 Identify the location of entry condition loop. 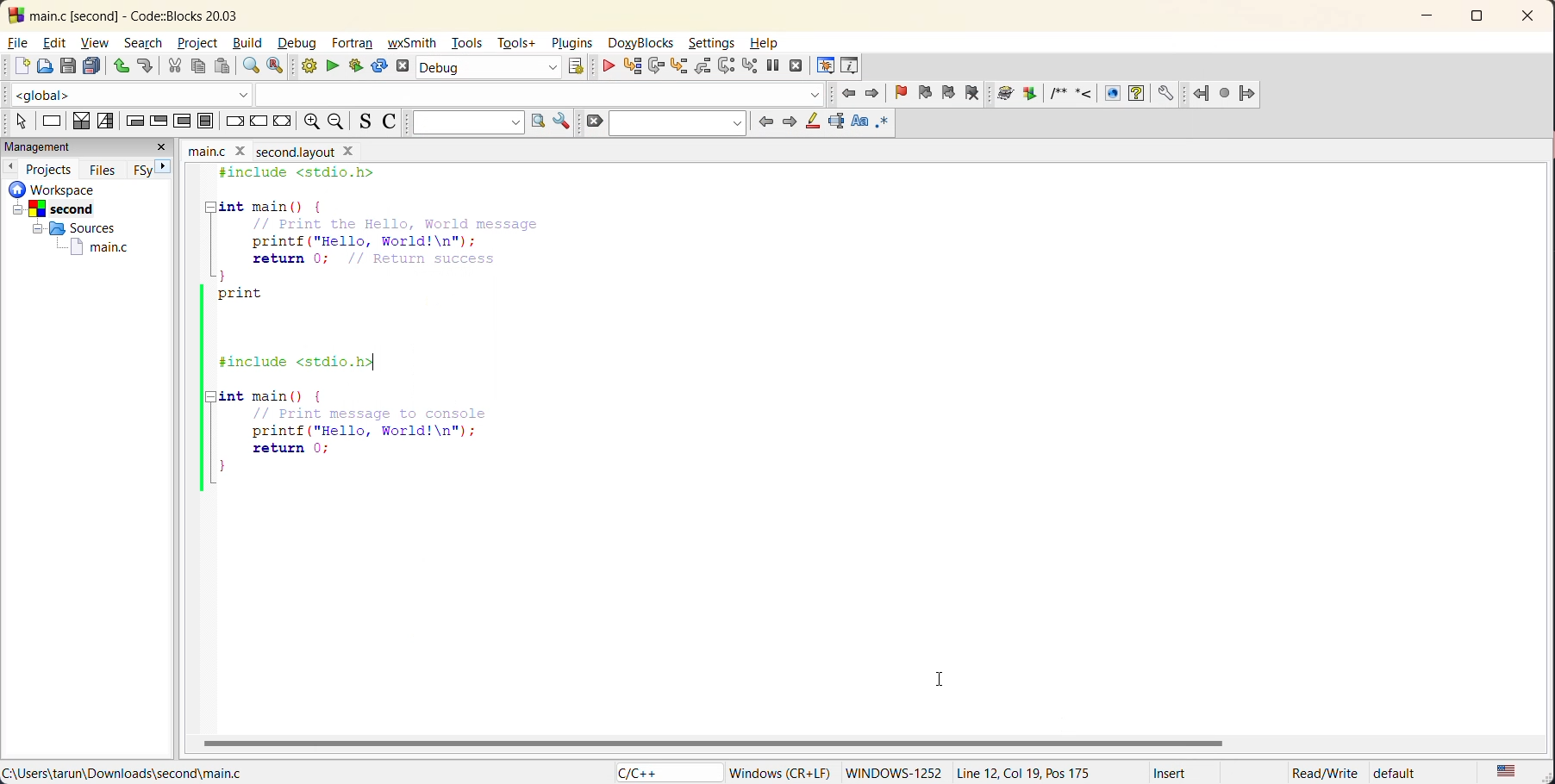
(134, 122).